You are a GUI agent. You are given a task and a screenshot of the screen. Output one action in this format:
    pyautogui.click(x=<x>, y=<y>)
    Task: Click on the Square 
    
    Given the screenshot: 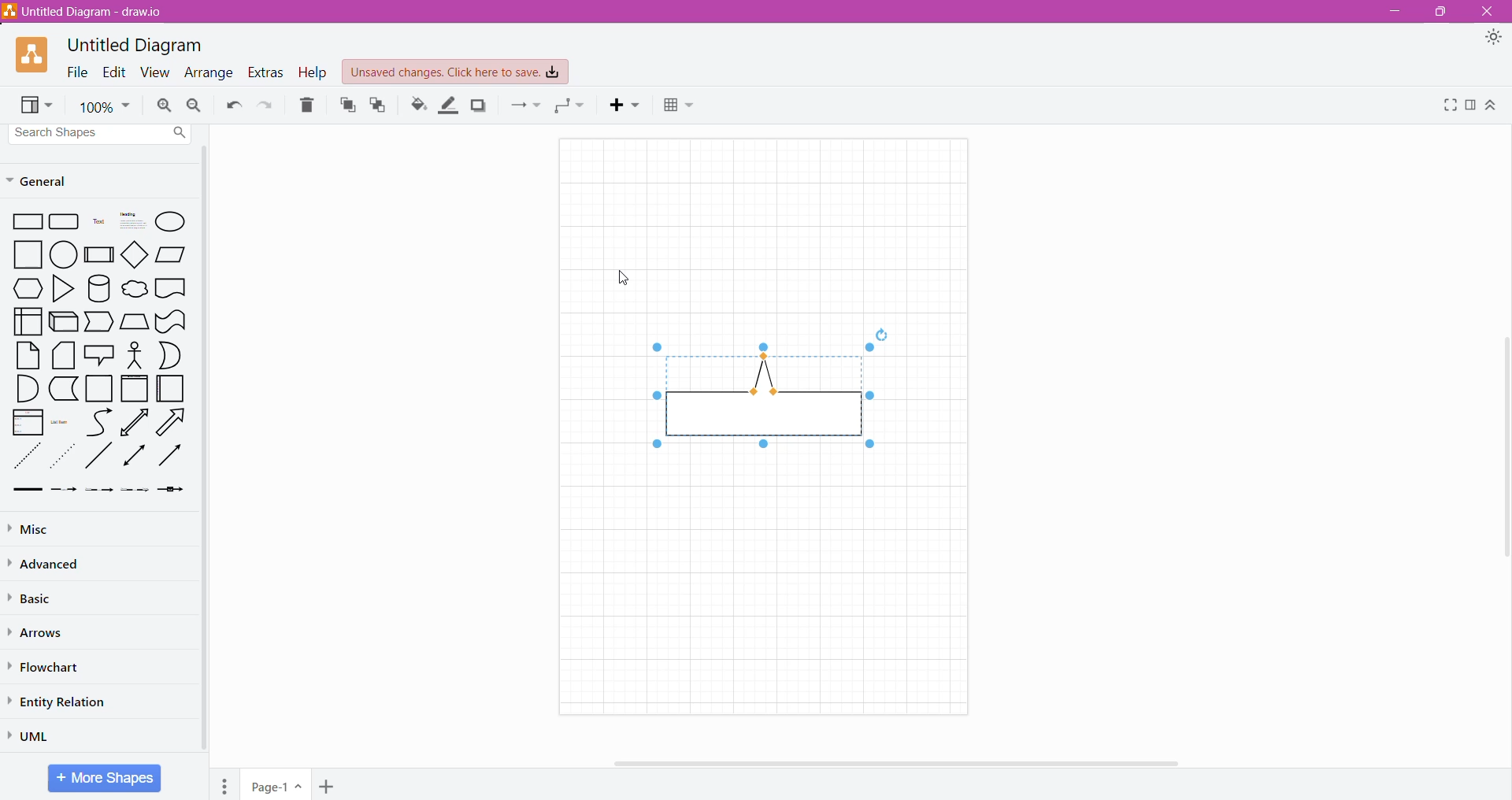 What is the action you would take?
    pyautogui.click(x=99, y=389)
    